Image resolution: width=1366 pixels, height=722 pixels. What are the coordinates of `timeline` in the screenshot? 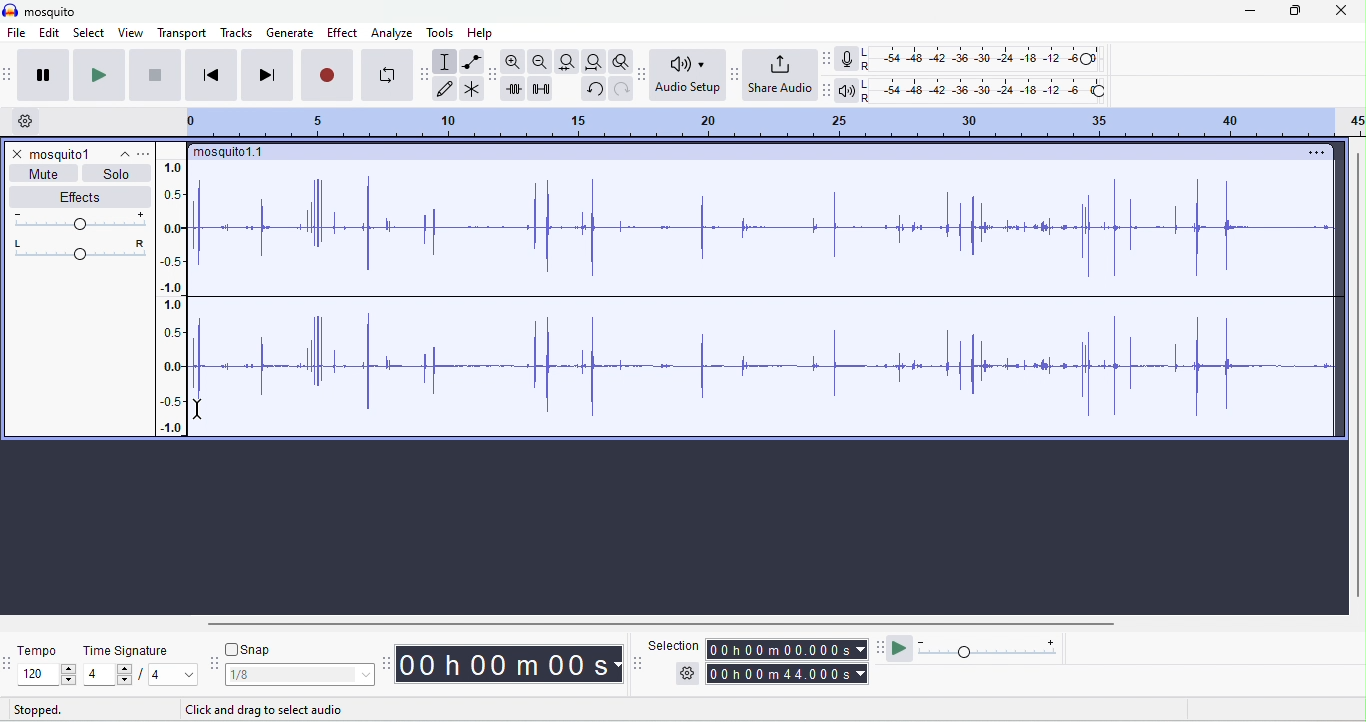 It's located at (773, 123).